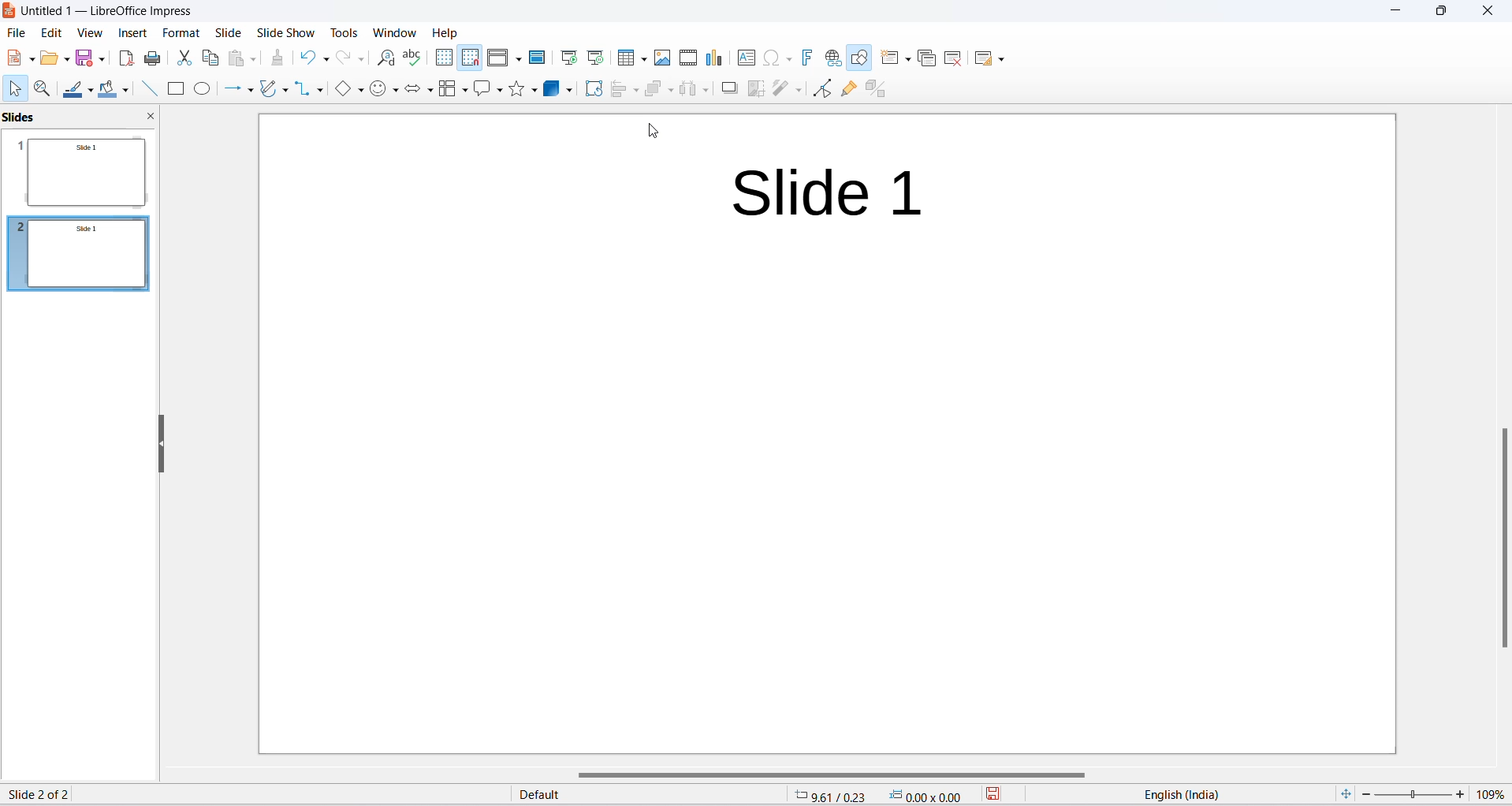 The height and width of the screenshot is (806, 1512). I want to click on duplicate slide, so click(929, 57).